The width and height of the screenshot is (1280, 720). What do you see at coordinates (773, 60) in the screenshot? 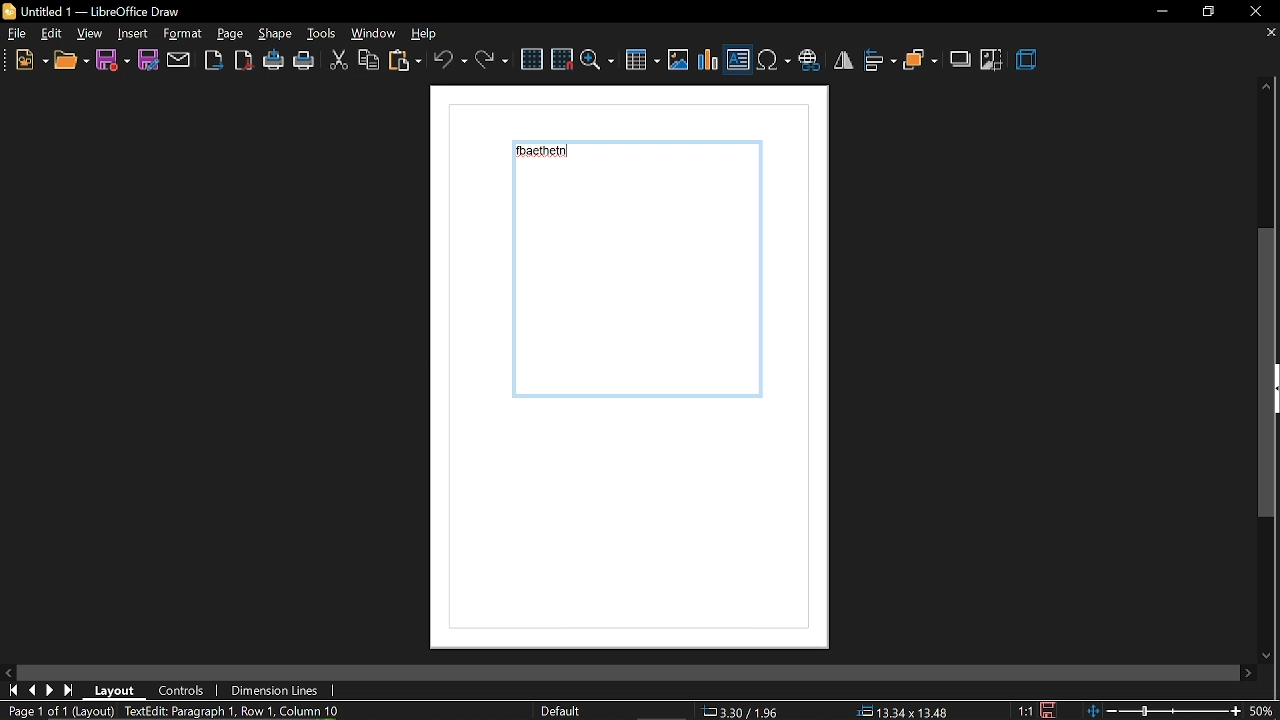
I see `Insert symbol` at bounding box center [773, 60].